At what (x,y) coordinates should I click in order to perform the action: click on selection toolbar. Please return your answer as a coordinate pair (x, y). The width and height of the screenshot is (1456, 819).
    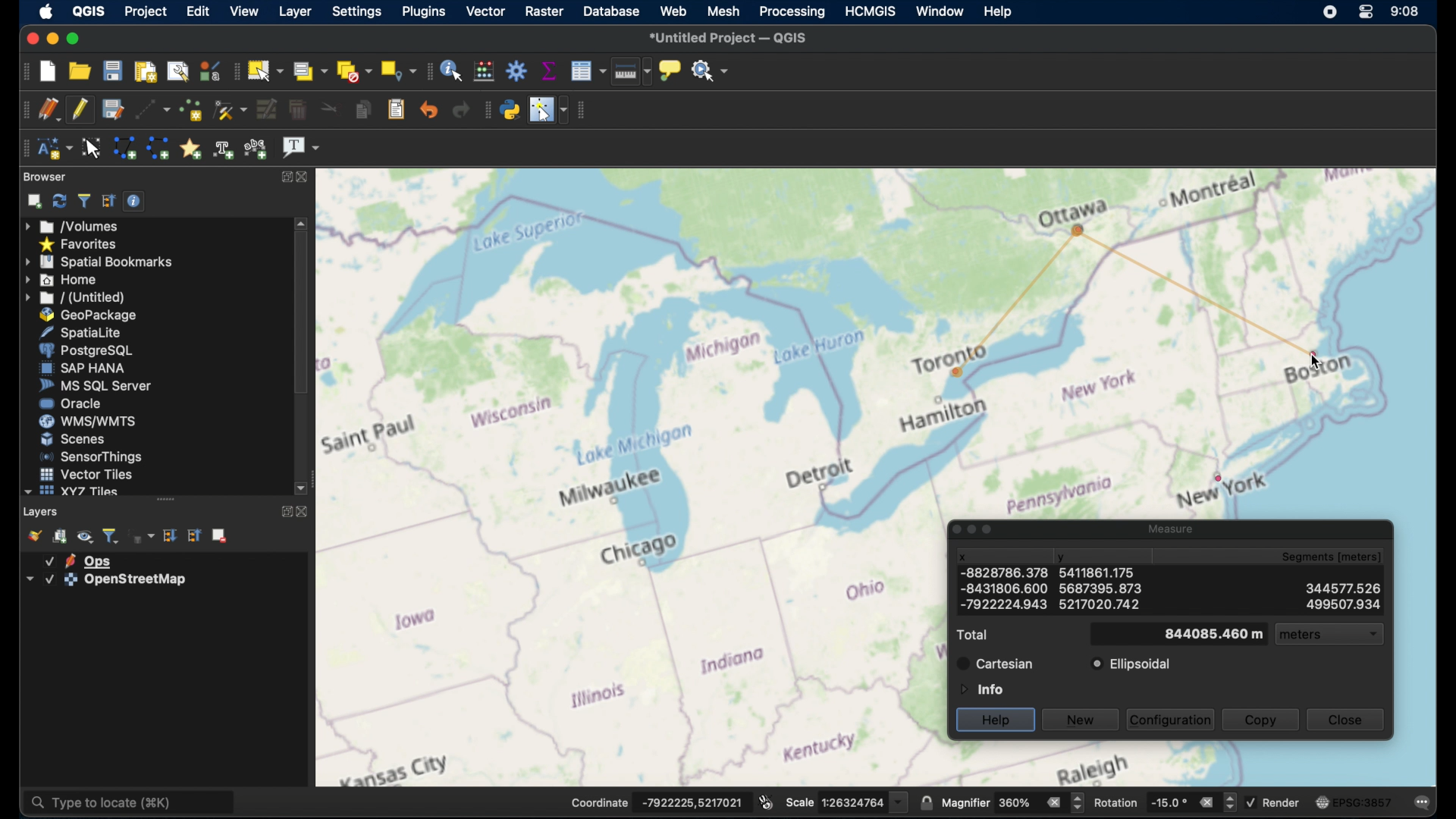
    Looking at the image, I should click on (237, 70).